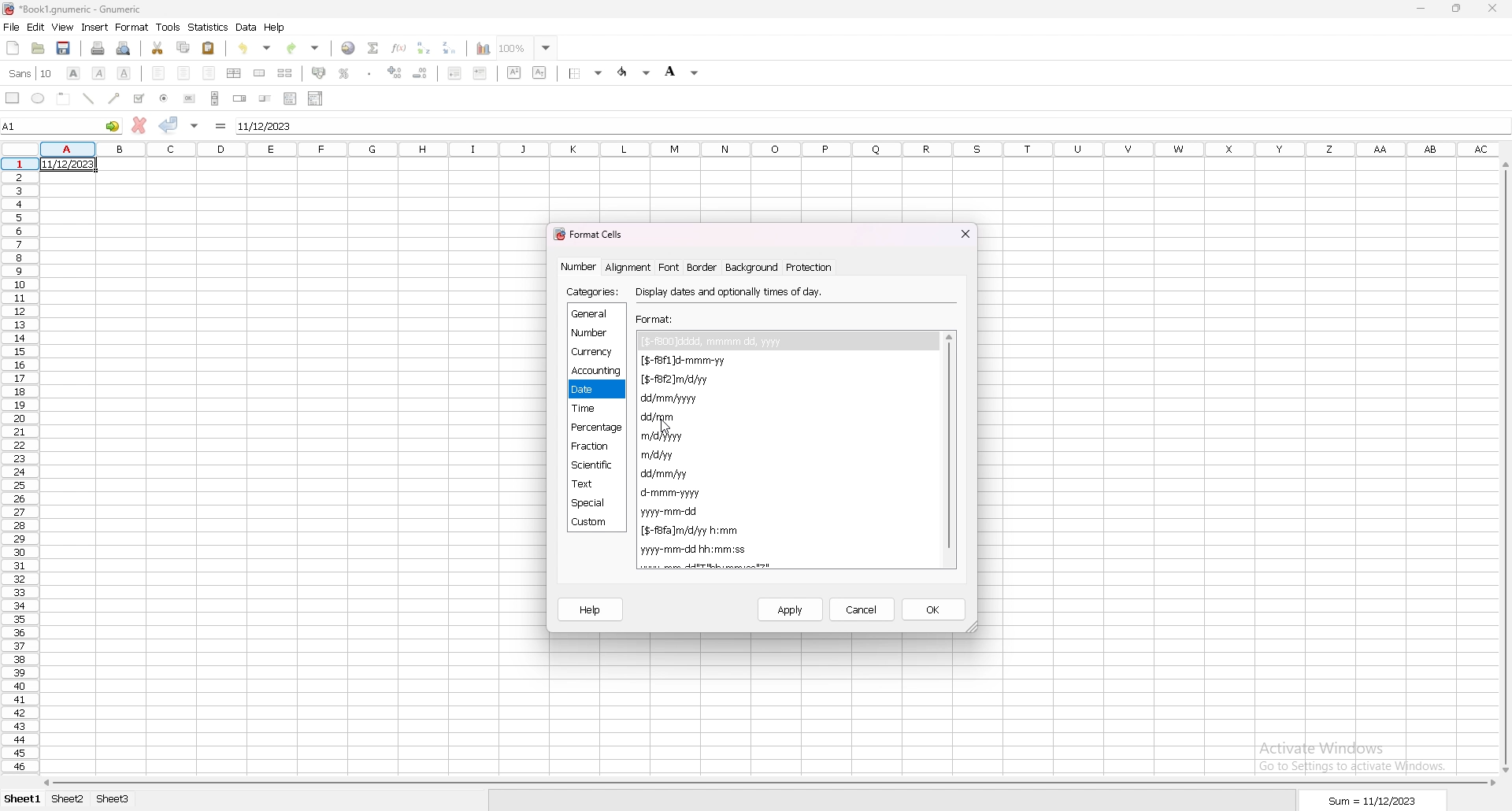 This screenshot has height=811, width=1512. What do you see at coordinates (95, 28) in the screenshot?
I see `insert` at bounding box center [95, 28].